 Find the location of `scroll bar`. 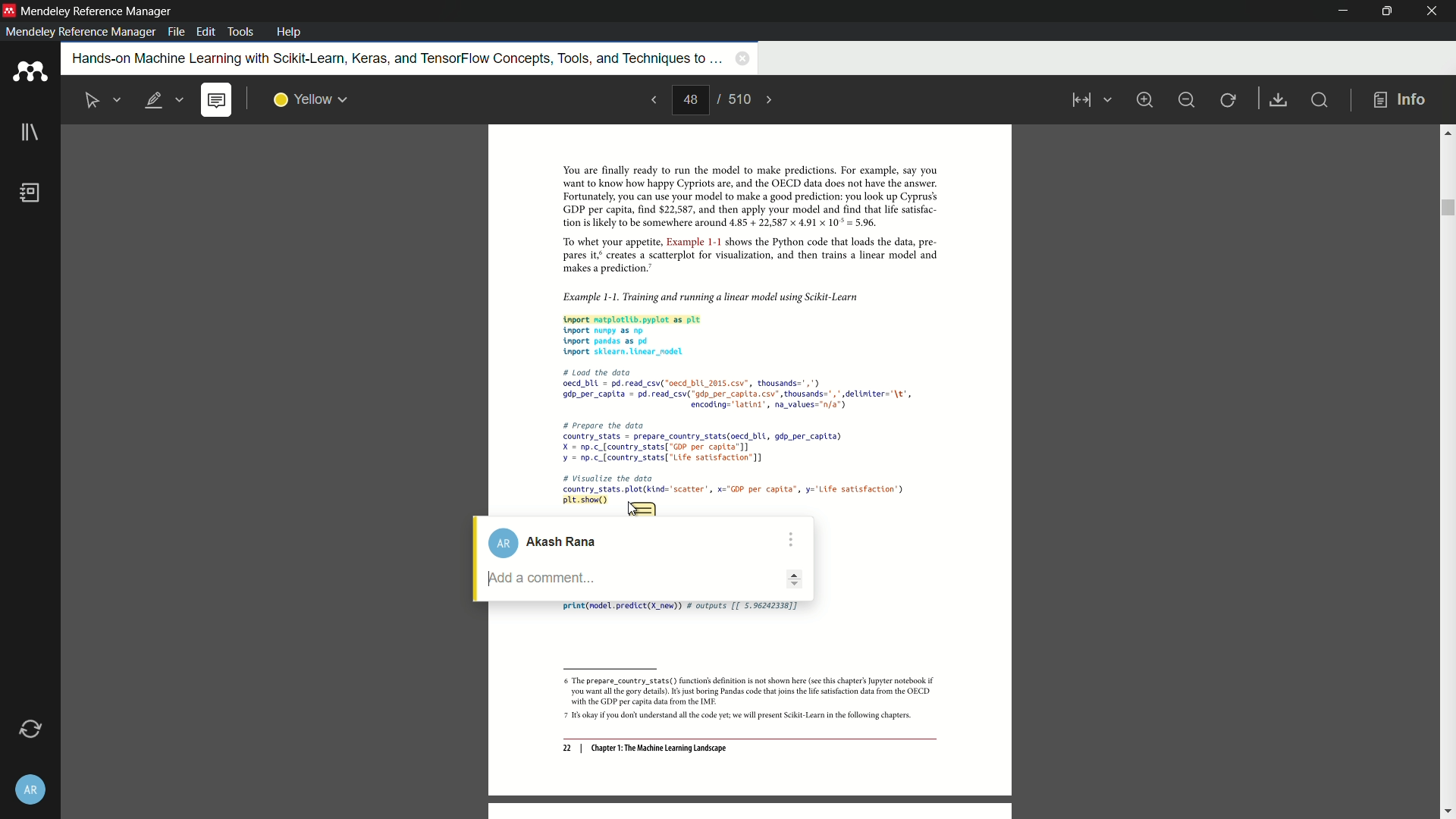

scroll bar is located at coordinates (1446, 208).